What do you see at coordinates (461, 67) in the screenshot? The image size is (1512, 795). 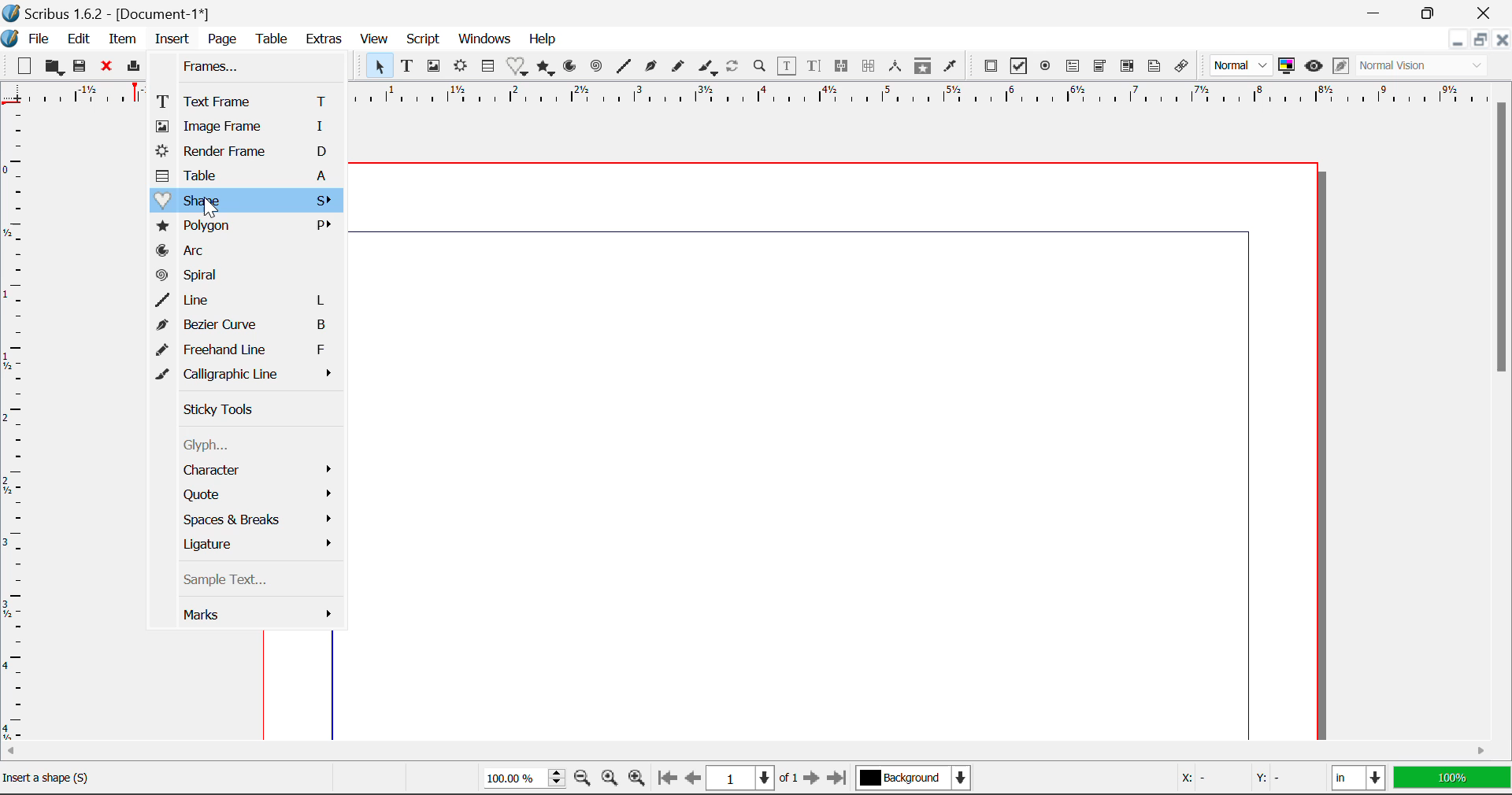 I see `Render Frame` at bounding box center [461, 67].